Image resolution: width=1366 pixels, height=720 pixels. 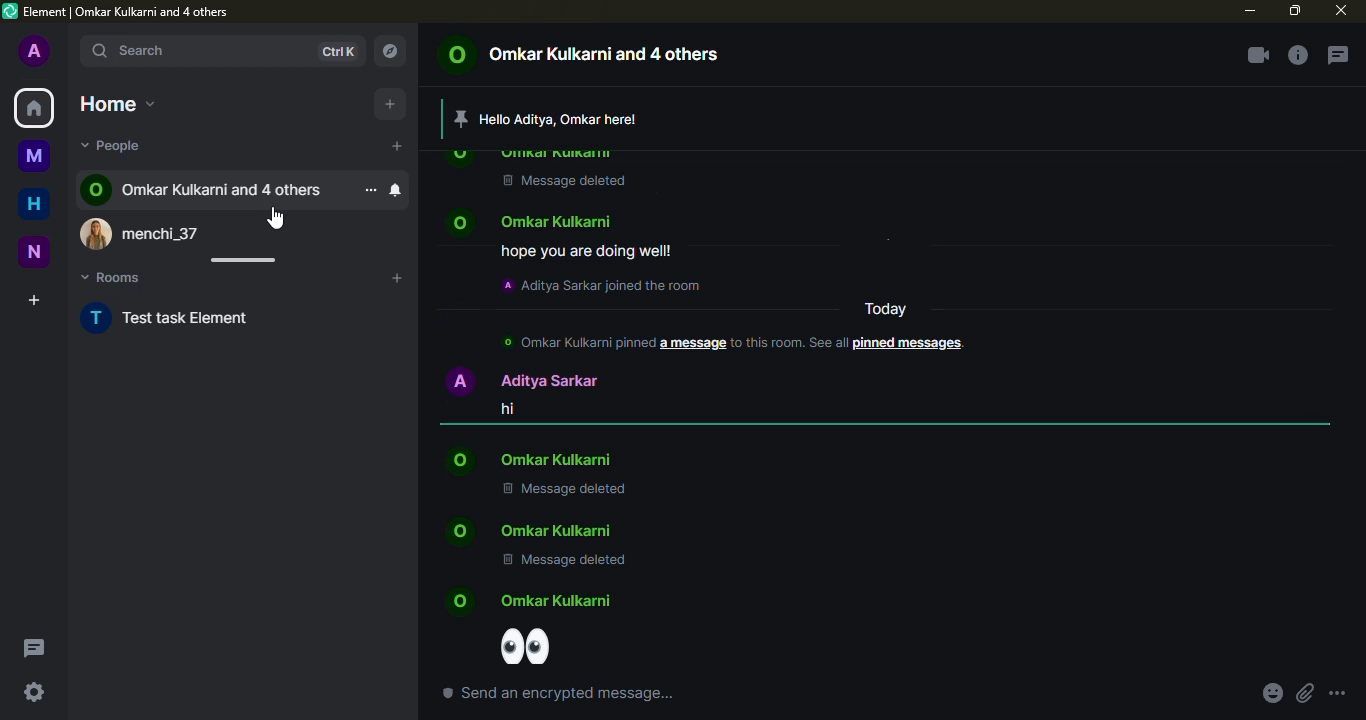 I want to click on menchi_37, so click(x=154, y=230).